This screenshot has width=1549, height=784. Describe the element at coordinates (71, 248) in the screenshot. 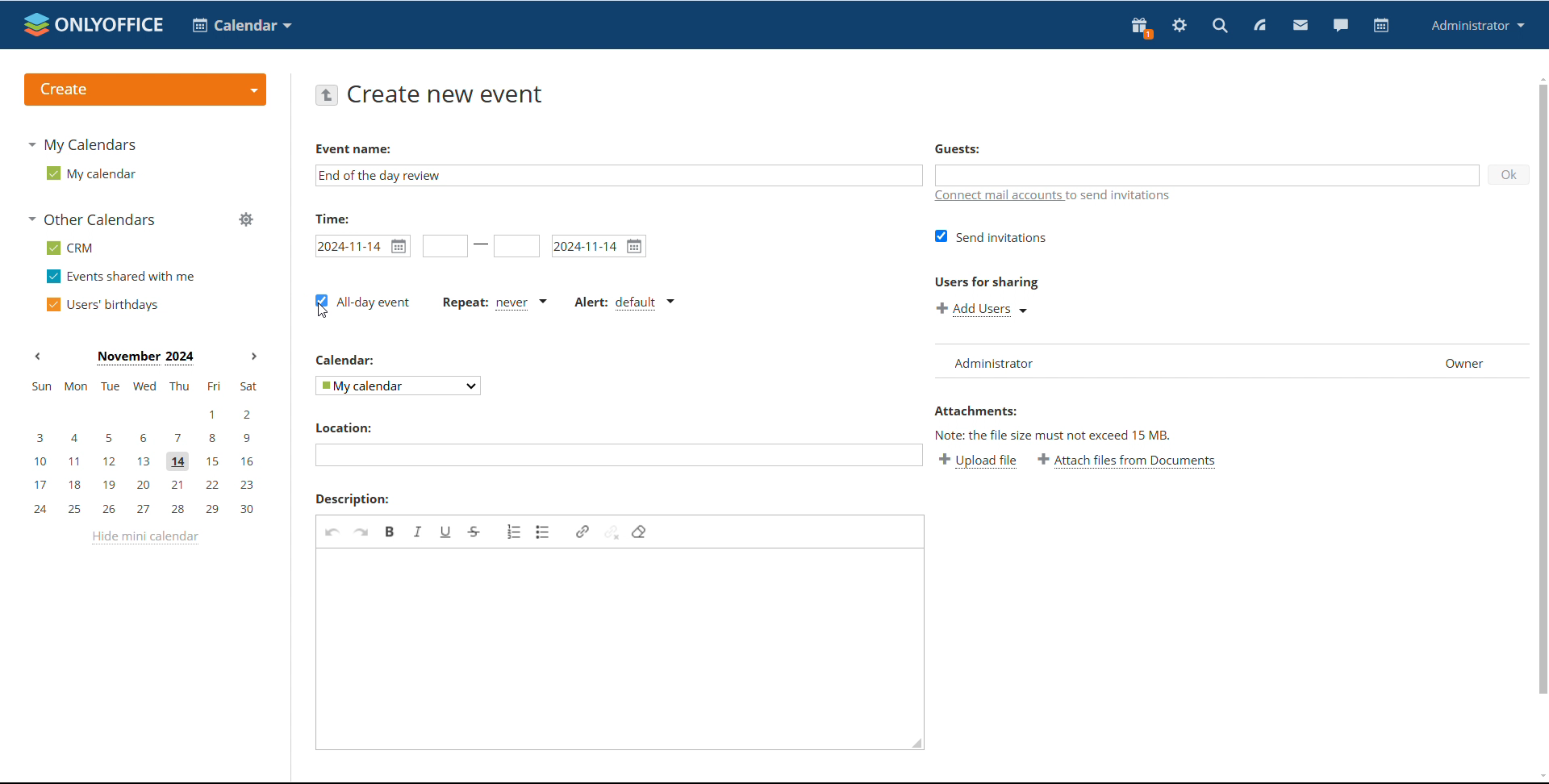

I see `crm` at that location.